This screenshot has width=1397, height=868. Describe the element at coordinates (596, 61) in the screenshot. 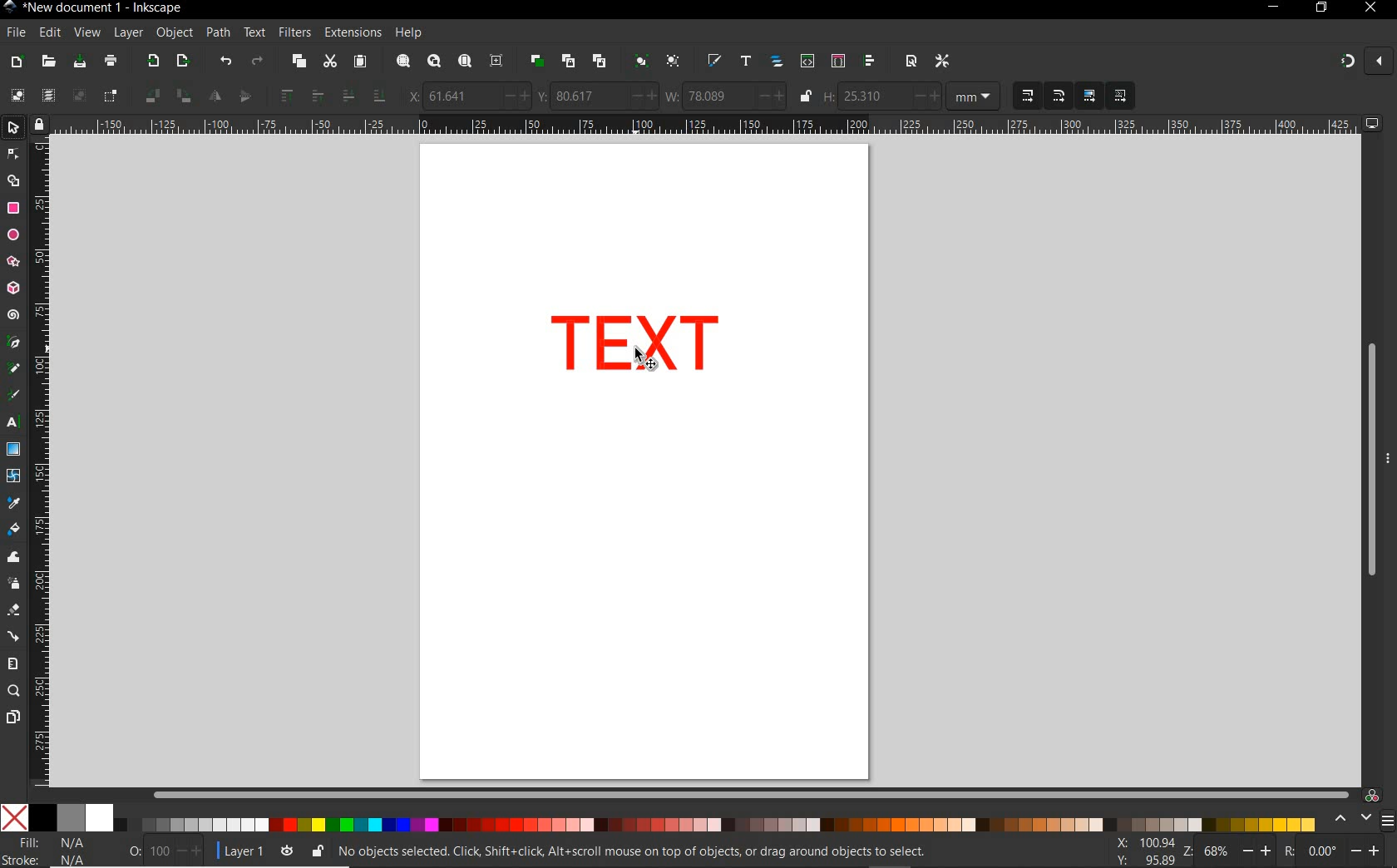

I see `unlink code` at that location.